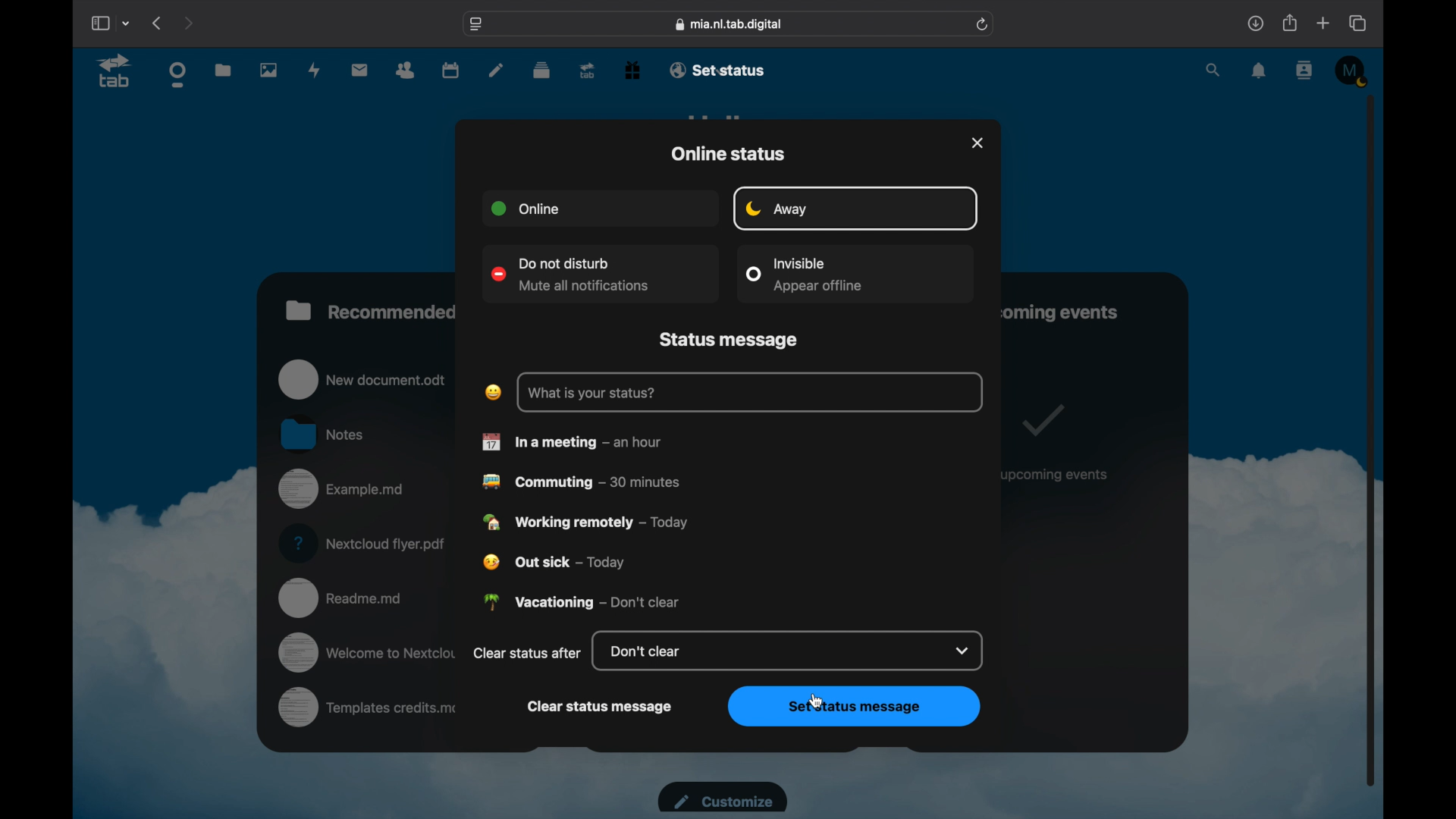  I want to click on templates, so click(370, 708).